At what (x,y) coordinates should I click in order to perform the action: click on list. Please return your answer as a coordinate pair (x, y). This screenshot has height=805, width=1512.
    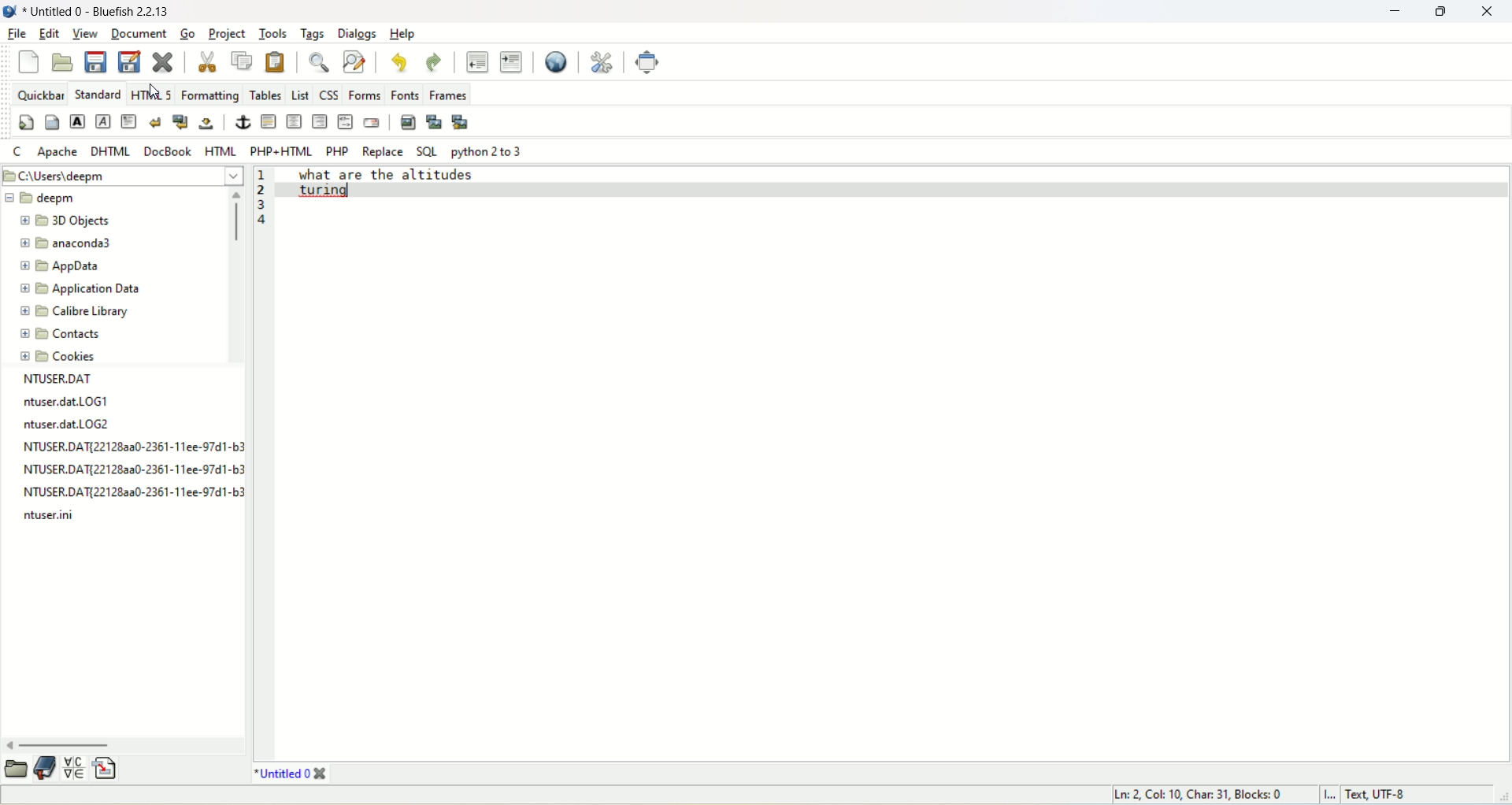
    Looking at the image, I should click on (300, 94).